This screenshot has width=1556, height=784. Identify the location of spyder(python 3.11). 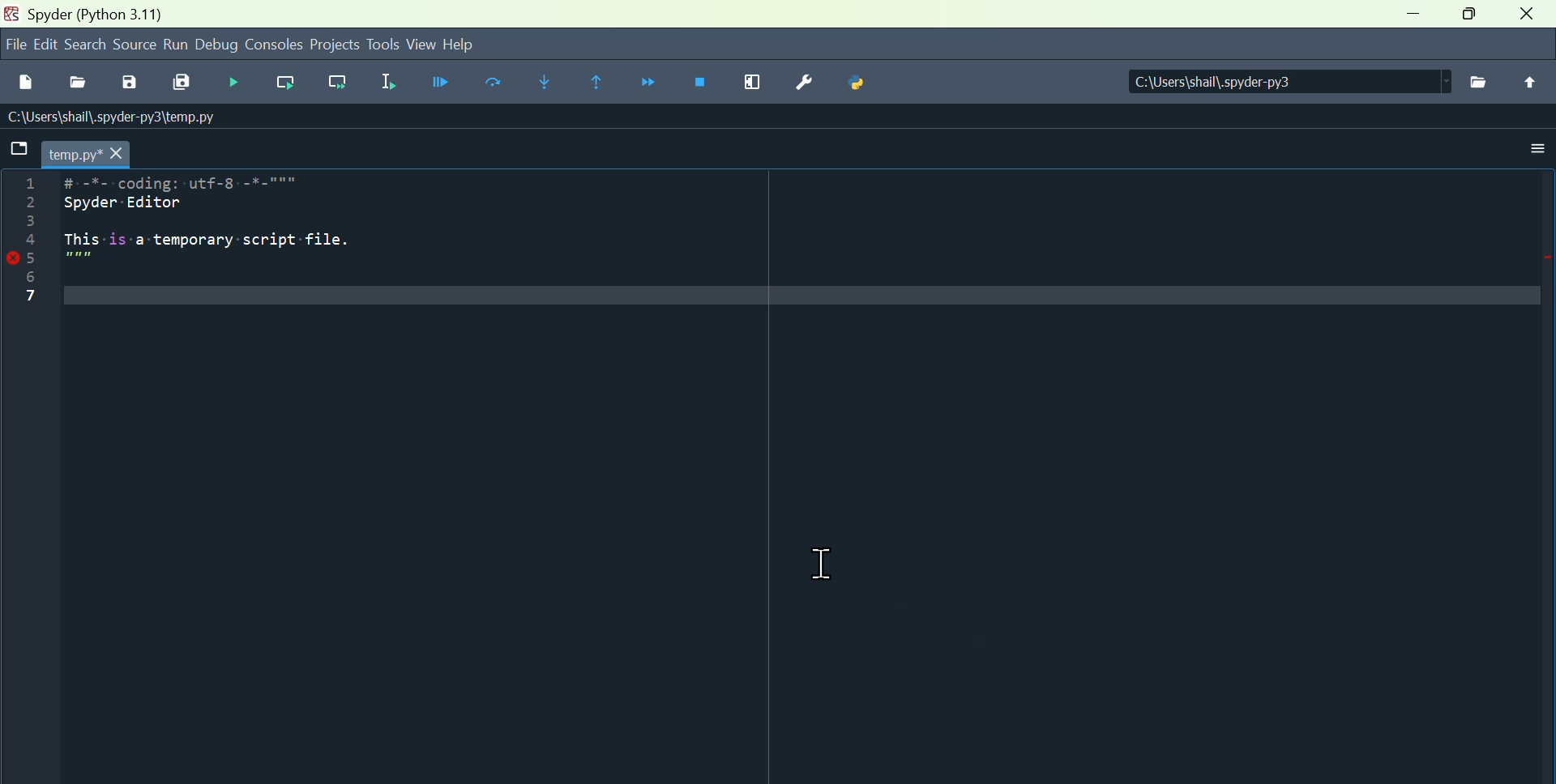
(110, 15).